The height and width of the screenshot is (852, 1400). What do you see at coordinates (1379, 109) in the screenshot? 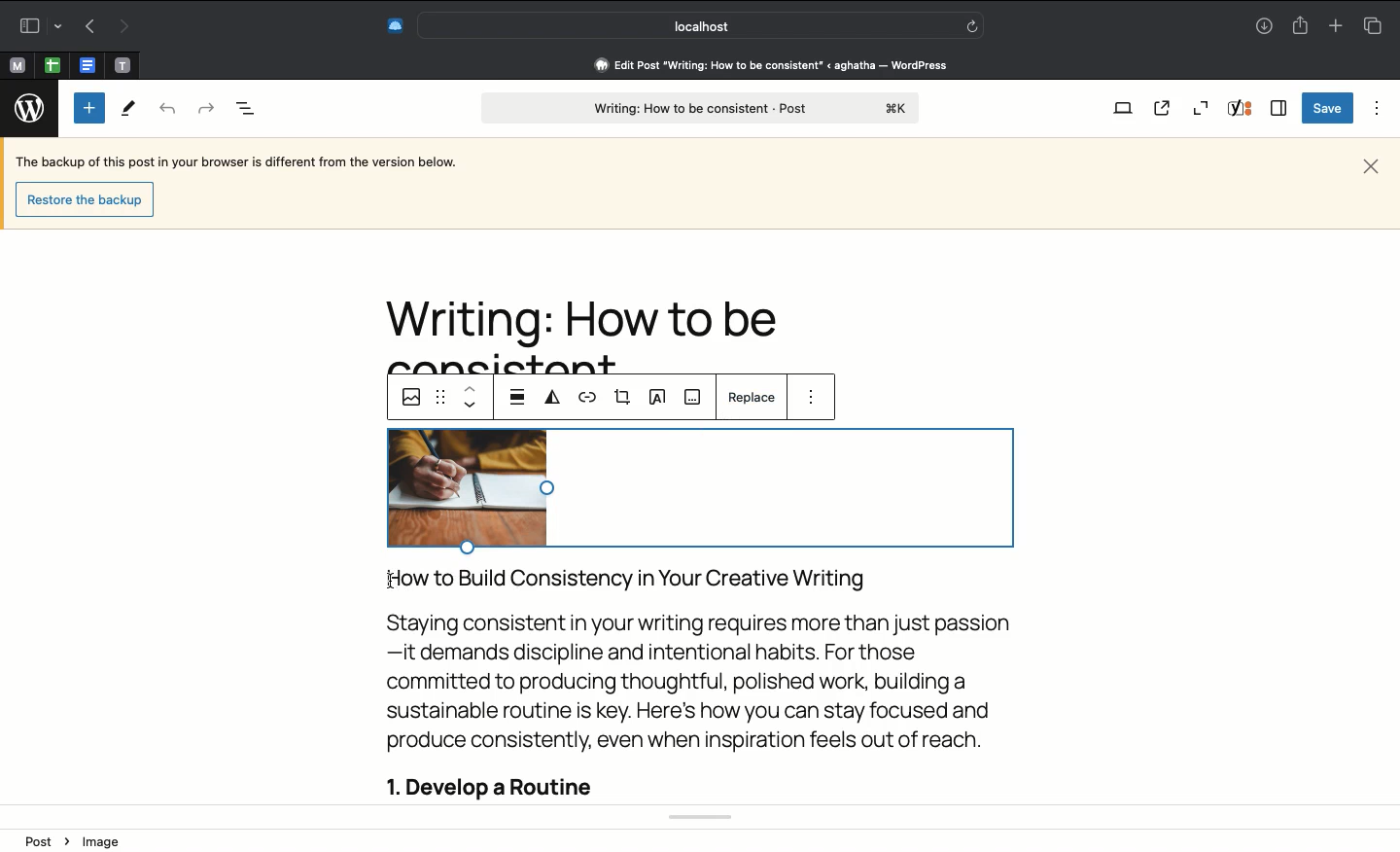
I see `Options` at bounding box center [1379, 109].